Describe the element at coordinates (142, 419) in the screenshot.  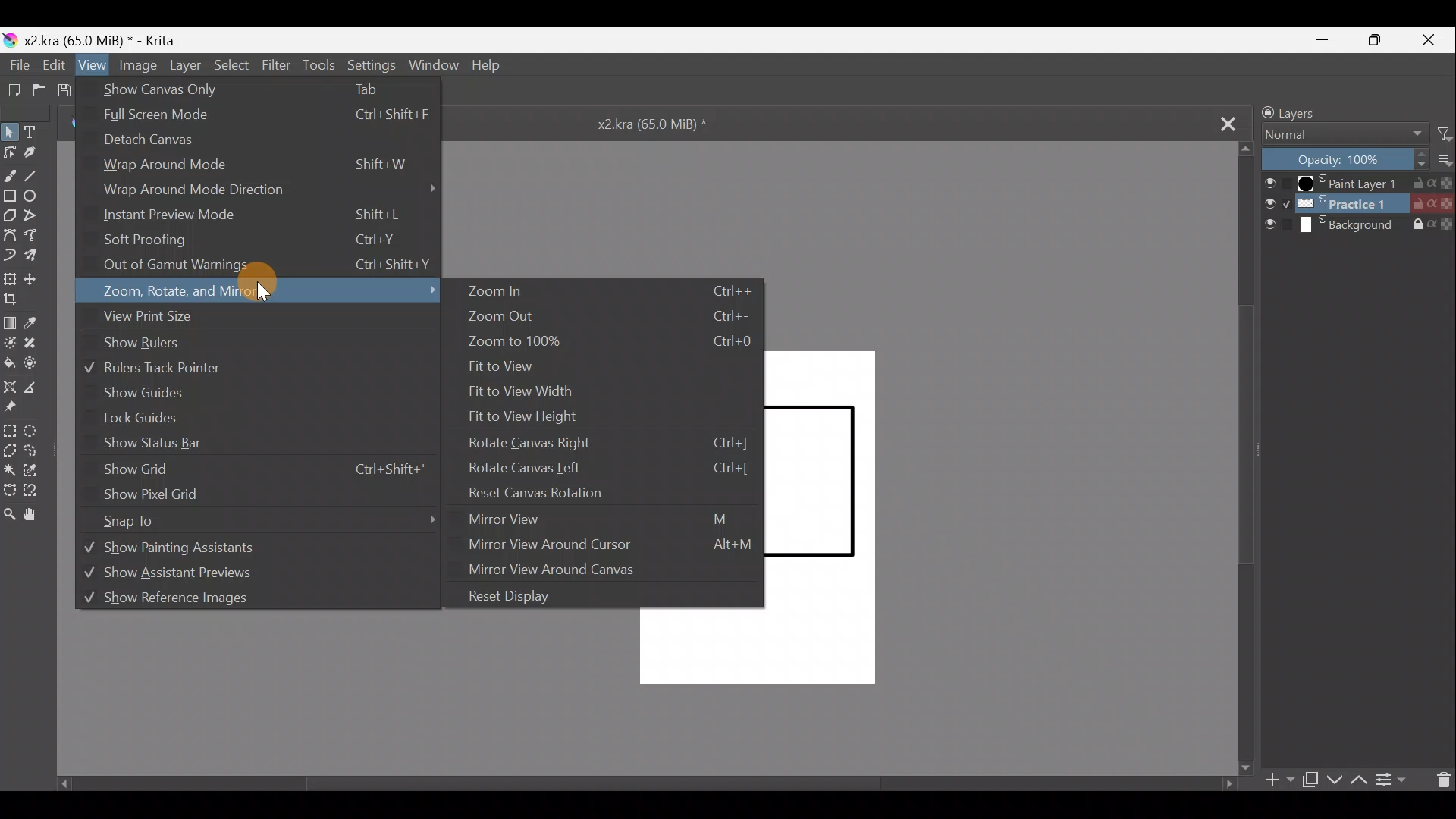
I see `Lock guides` at that location.